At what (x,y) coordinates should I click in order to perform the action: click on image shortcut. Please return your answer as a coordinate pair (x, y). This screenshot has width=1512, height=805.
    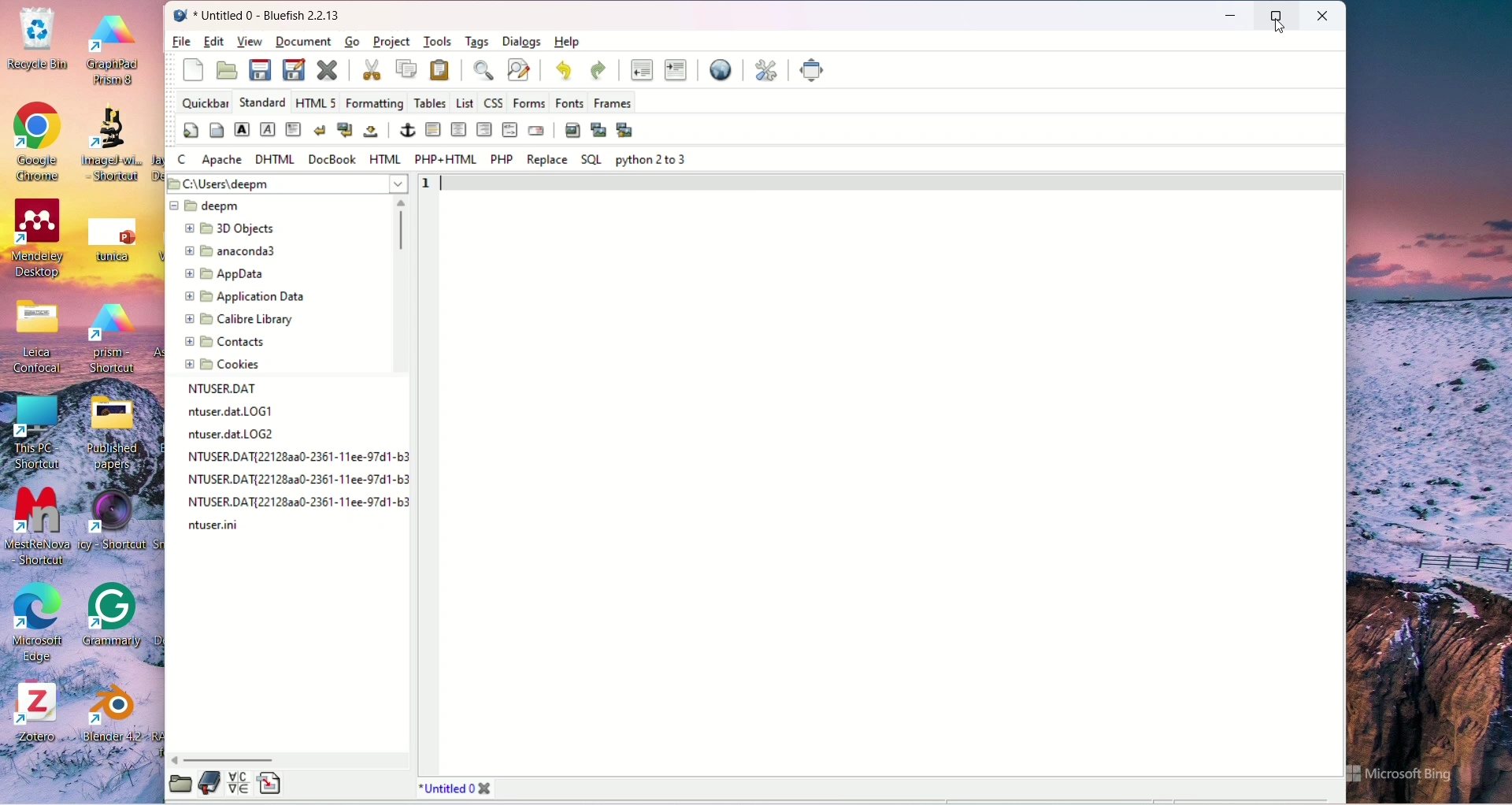
    Looking at the image, I should click on (109, 147).